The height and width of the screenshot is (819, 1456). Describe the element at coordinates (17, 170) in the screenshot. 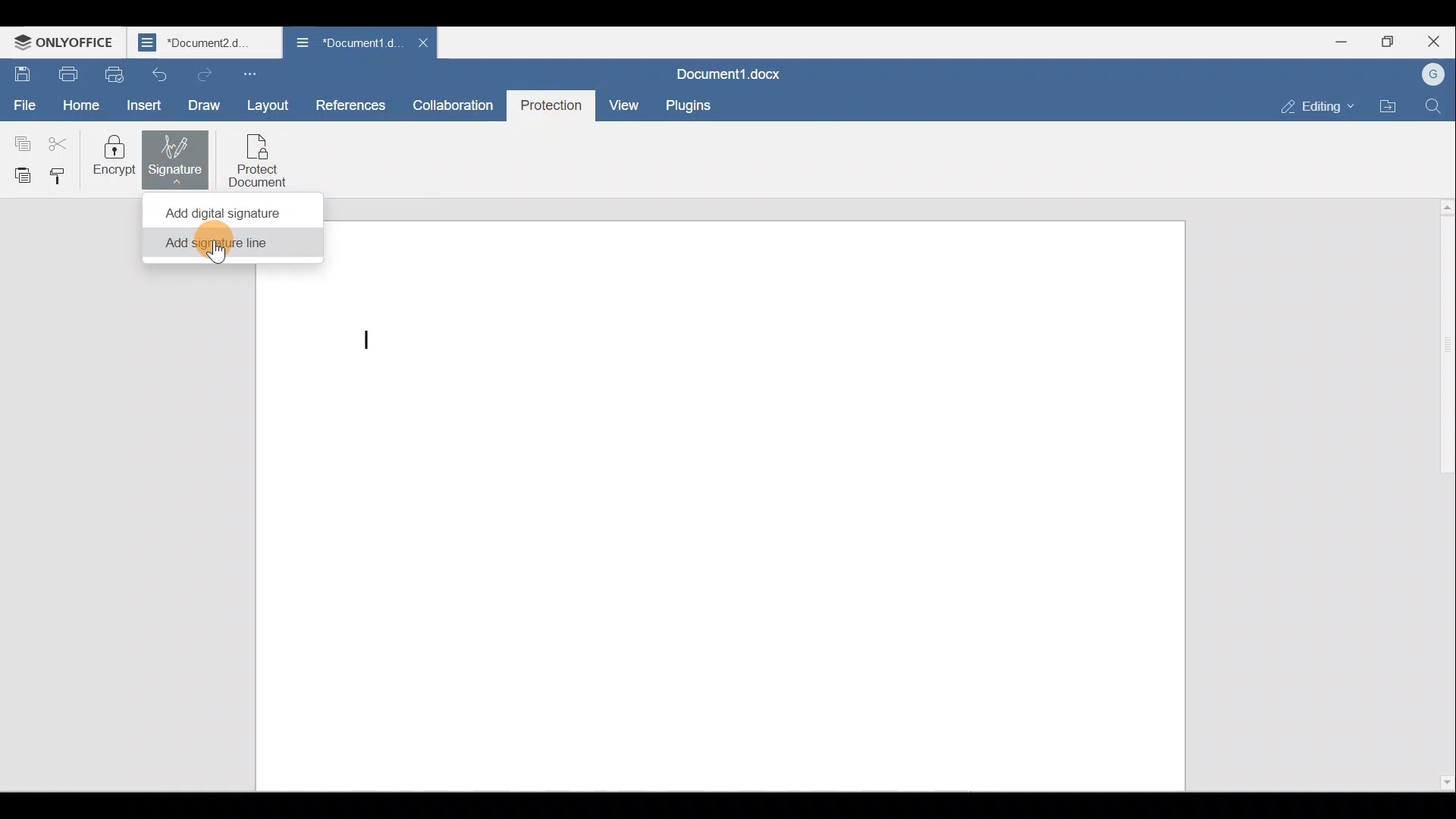

I see `Paste` at that location.